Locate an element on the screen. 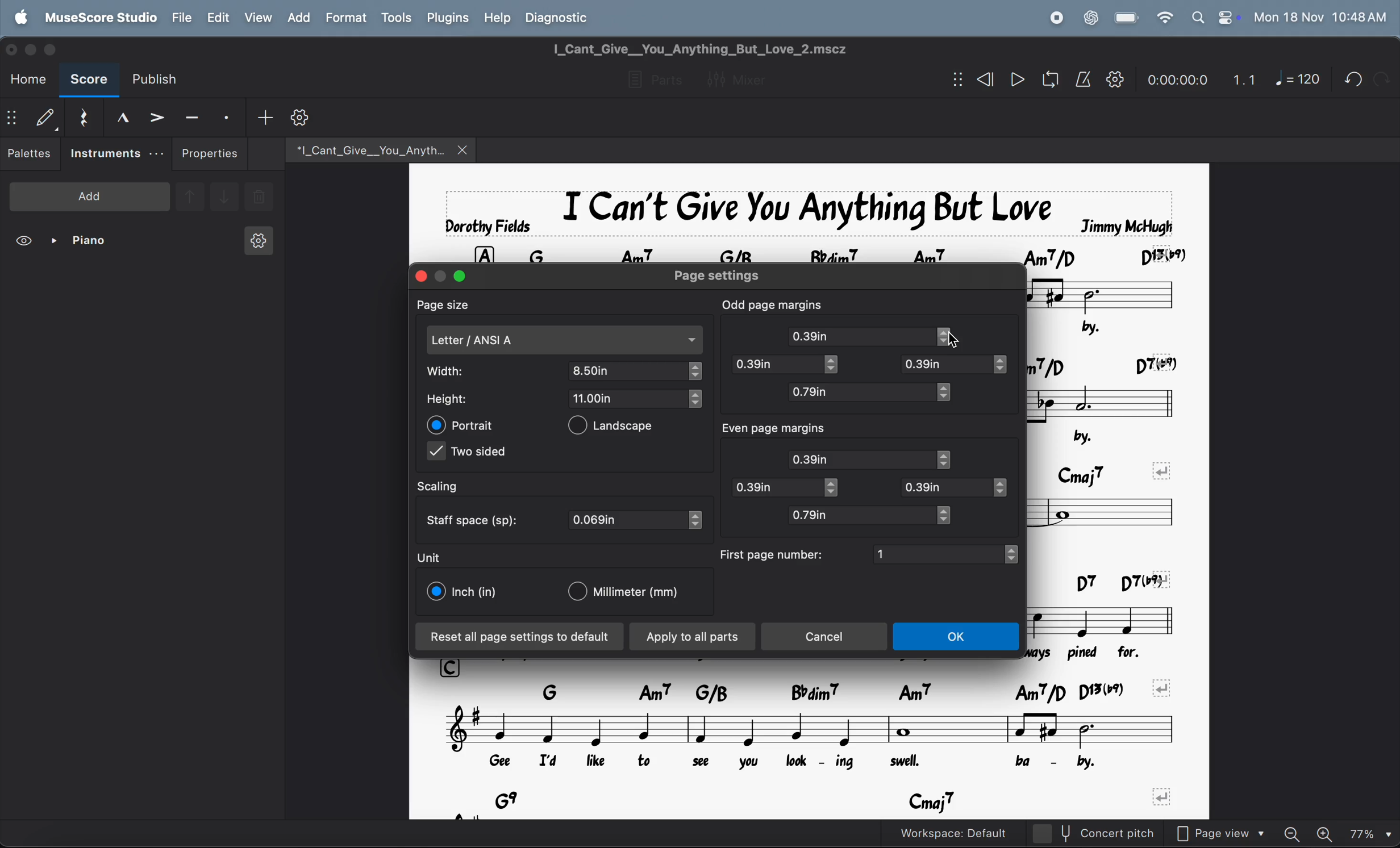 This screenshot has width=1400, height=848. 1.1 is located at coordinates (1244, 77).